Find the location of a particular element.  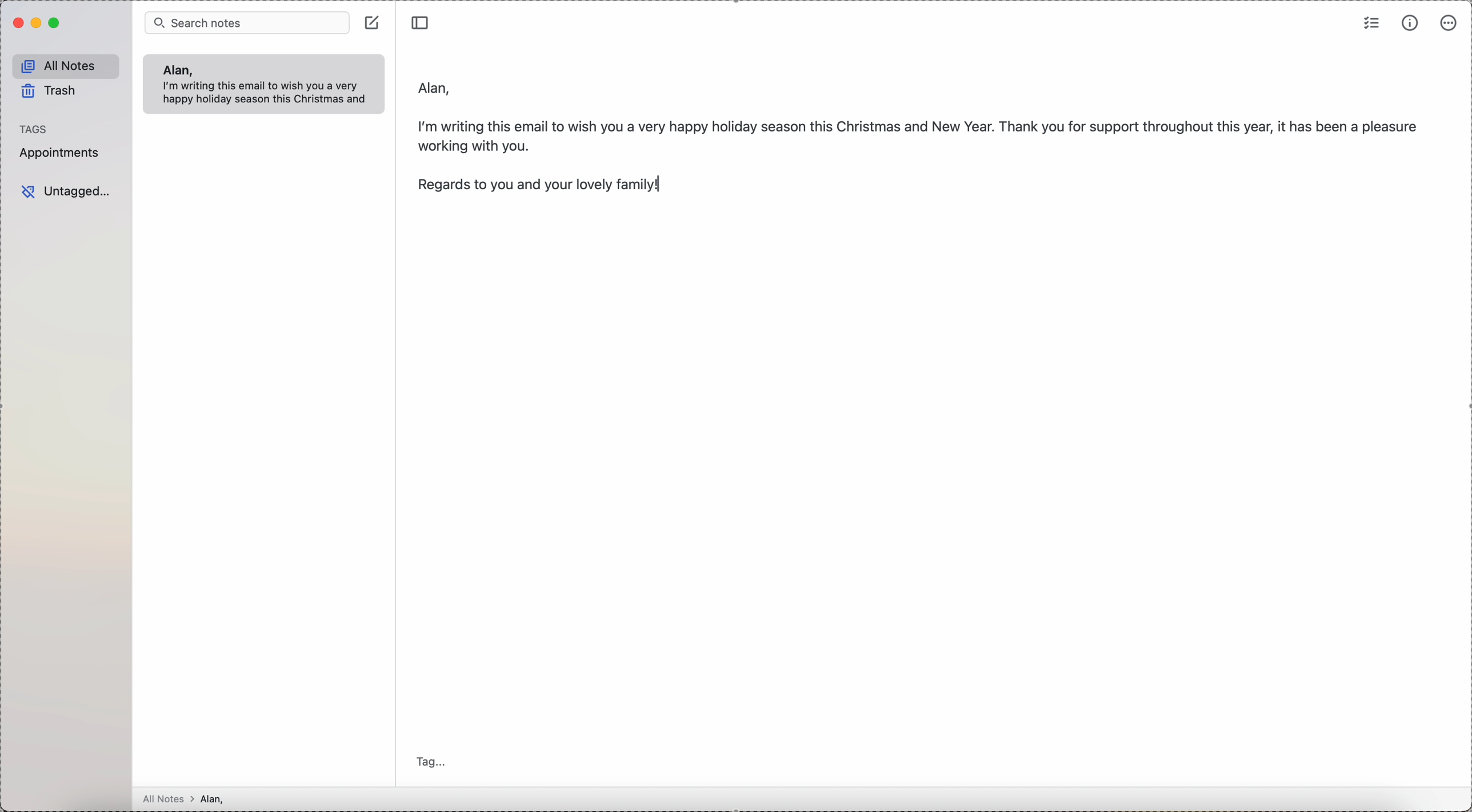

Alan, is located at coordinates (177, 70).